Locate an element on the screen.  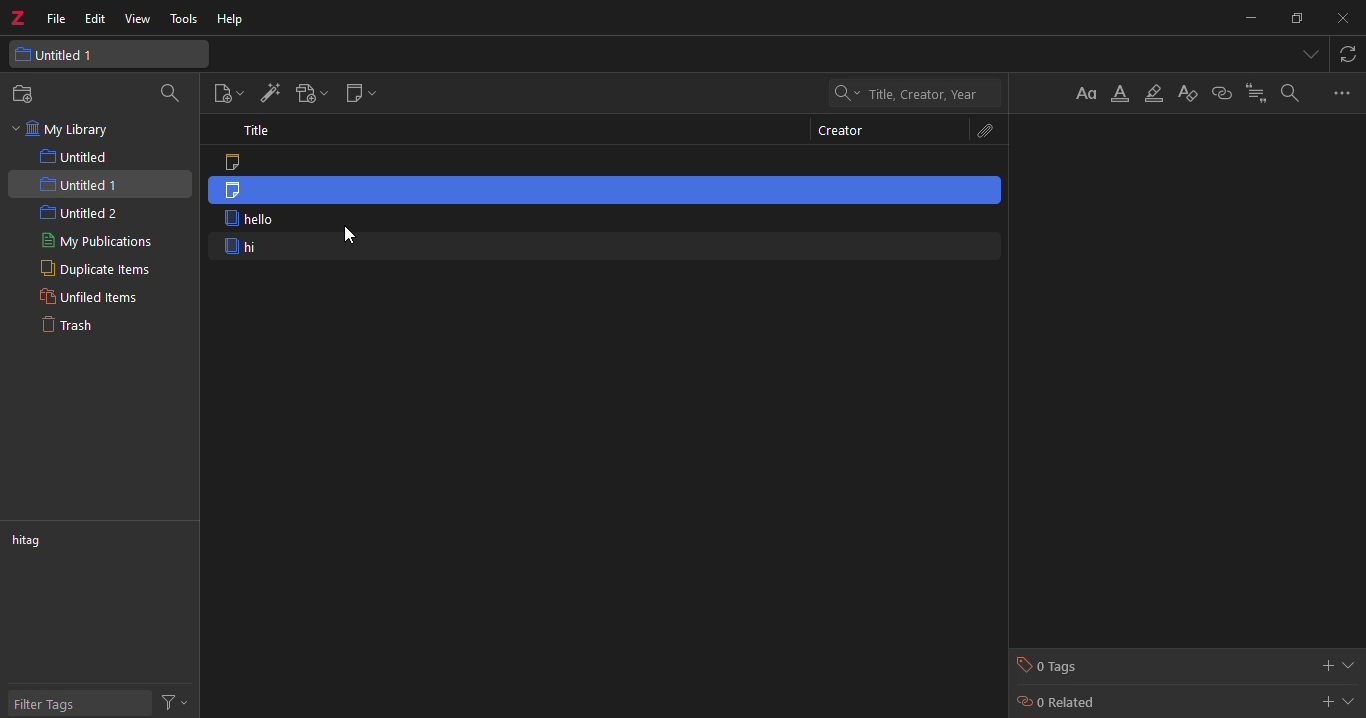
untitled 1 is located at coordinates (81, 184).